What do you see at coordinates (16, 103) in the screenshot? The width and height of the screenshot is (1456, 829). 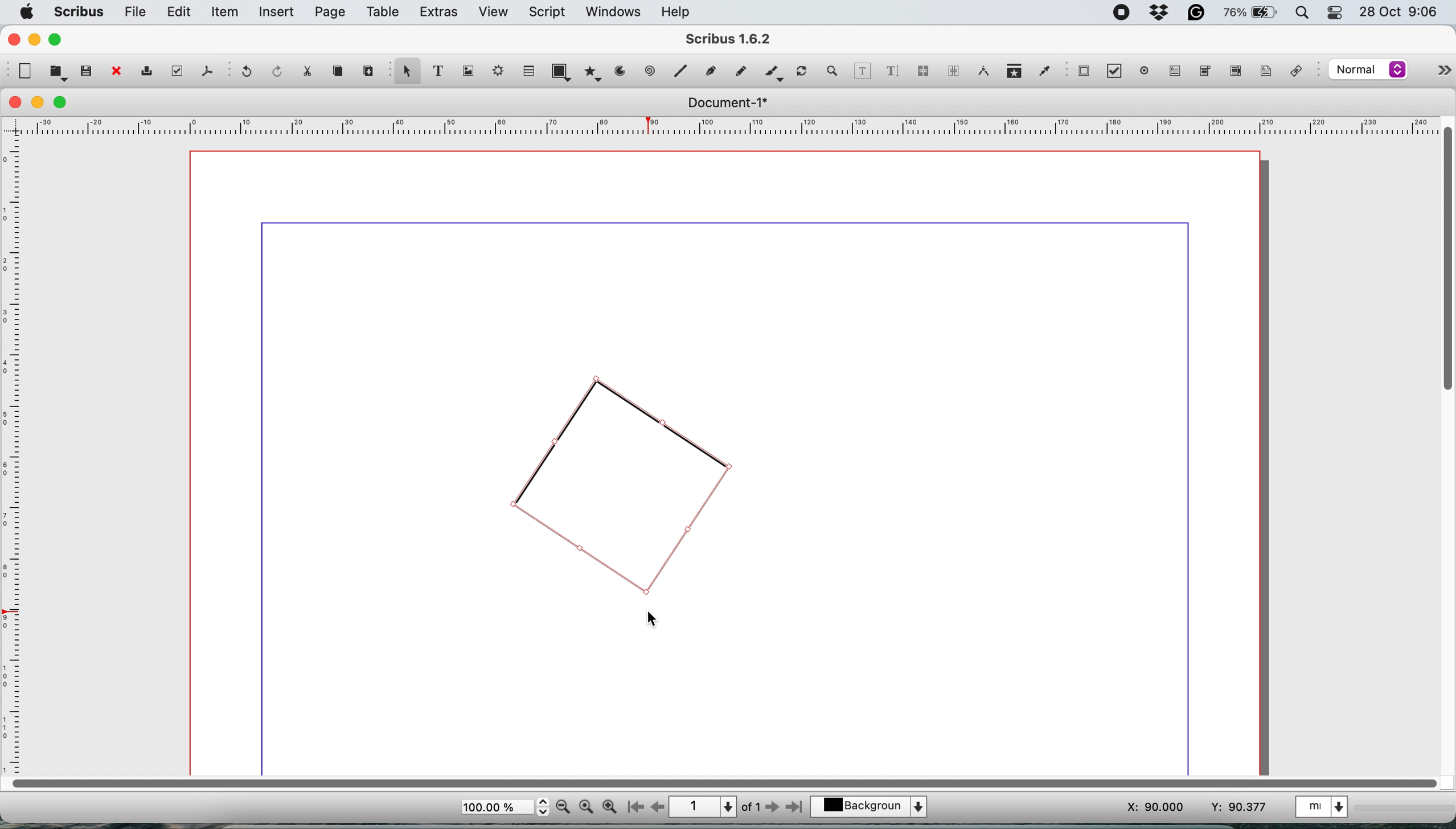 I see `close` at bounding box center [16, 103].